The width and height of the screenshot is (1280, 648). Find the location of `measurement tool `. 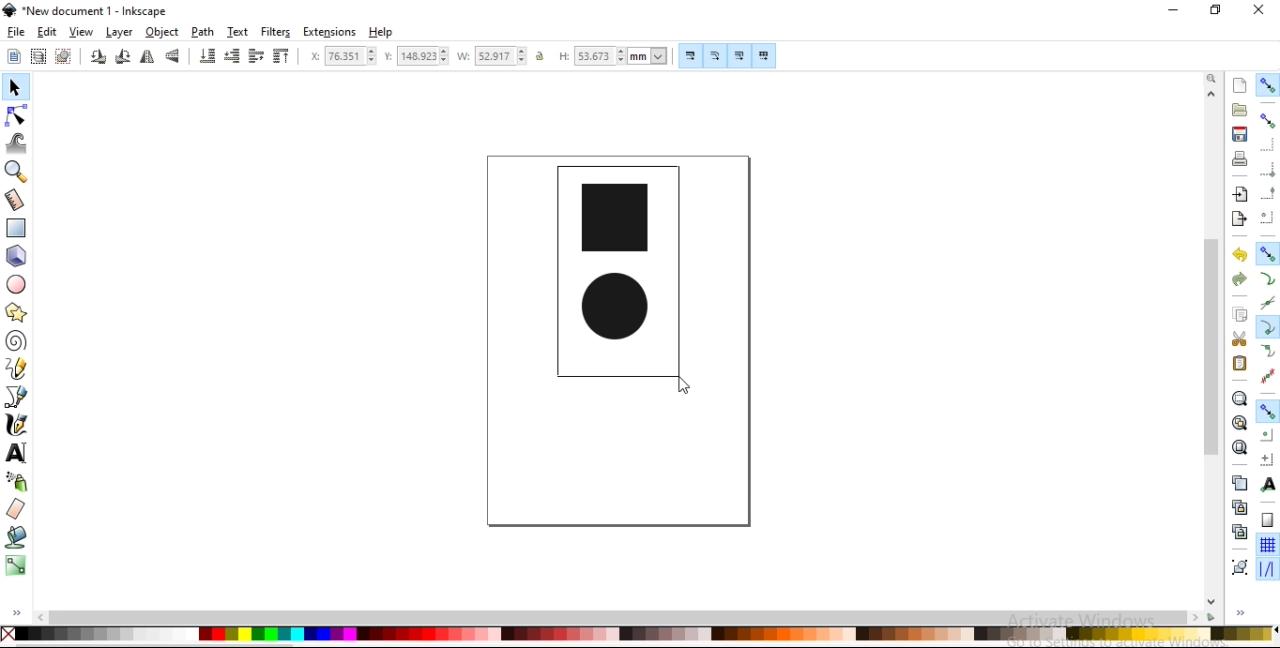

measurement tool  is located at coordinates (17, 199).